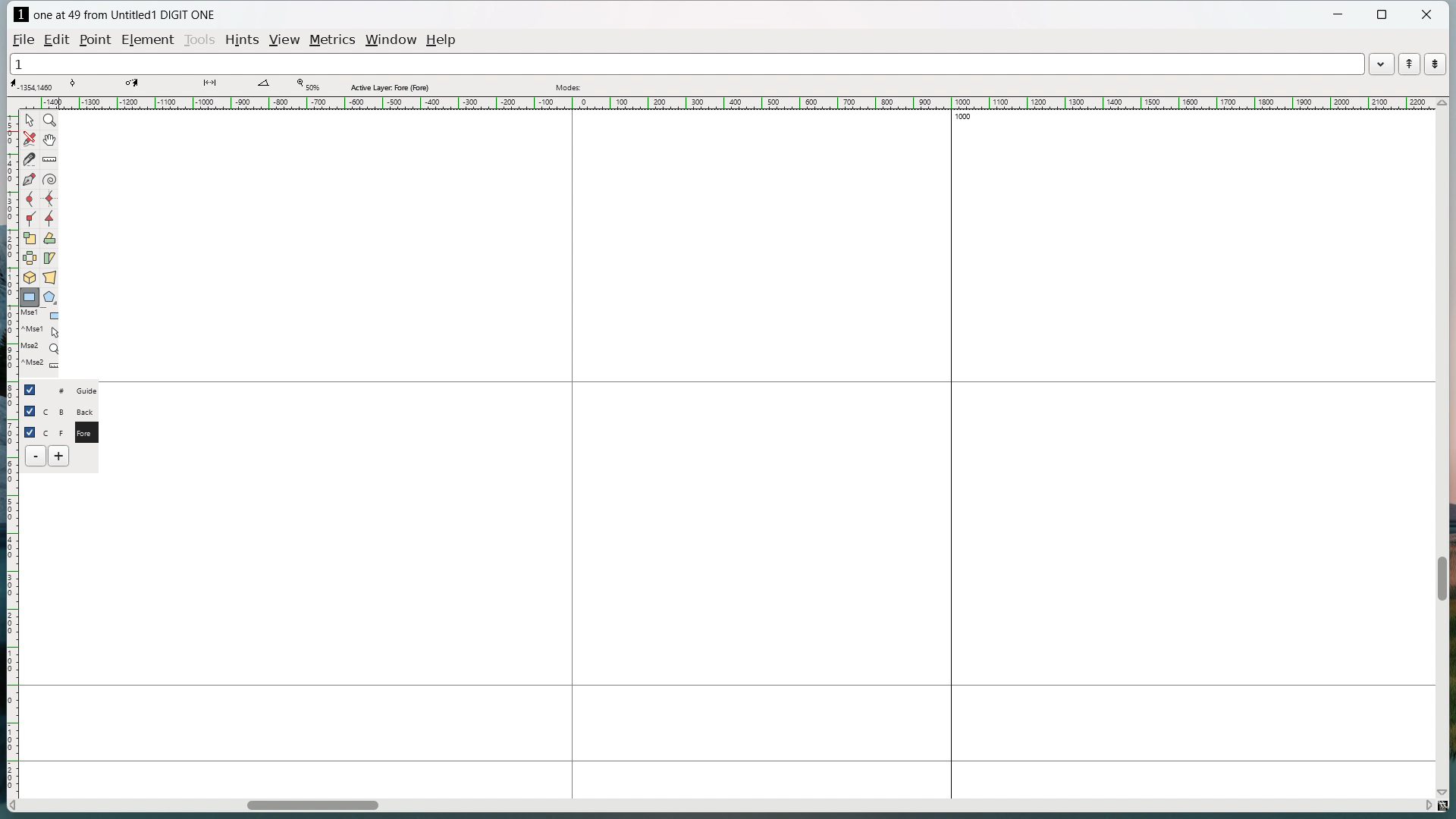 The width and height of the screenshot is (1456, 819). Describe the element at coordinates (1409, 64) in the screenshot. I see `show the previous word in the word list` at that location.